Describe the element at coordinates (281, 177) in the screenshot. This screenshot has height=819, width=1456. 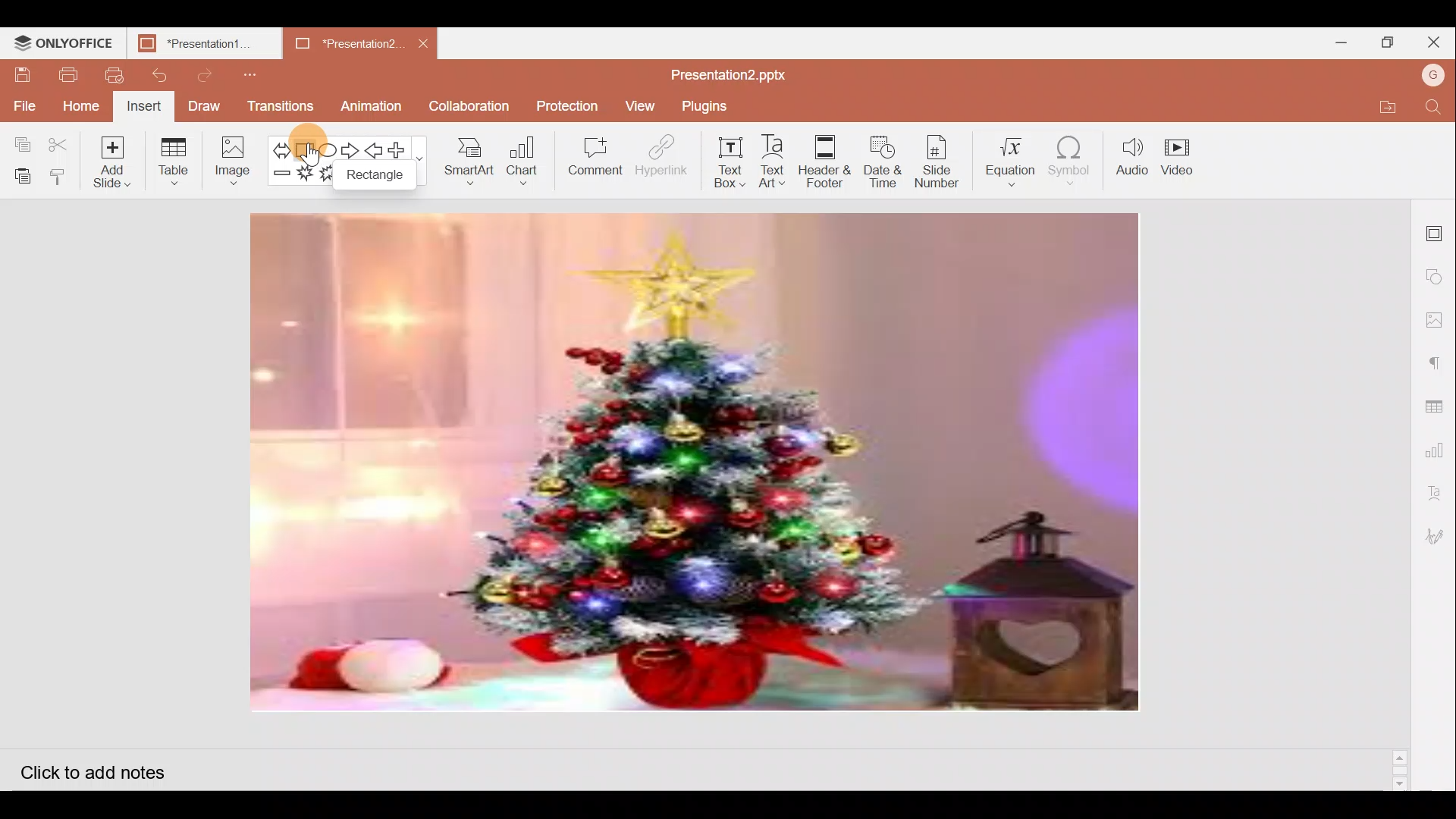
I see `Minus` at that location.